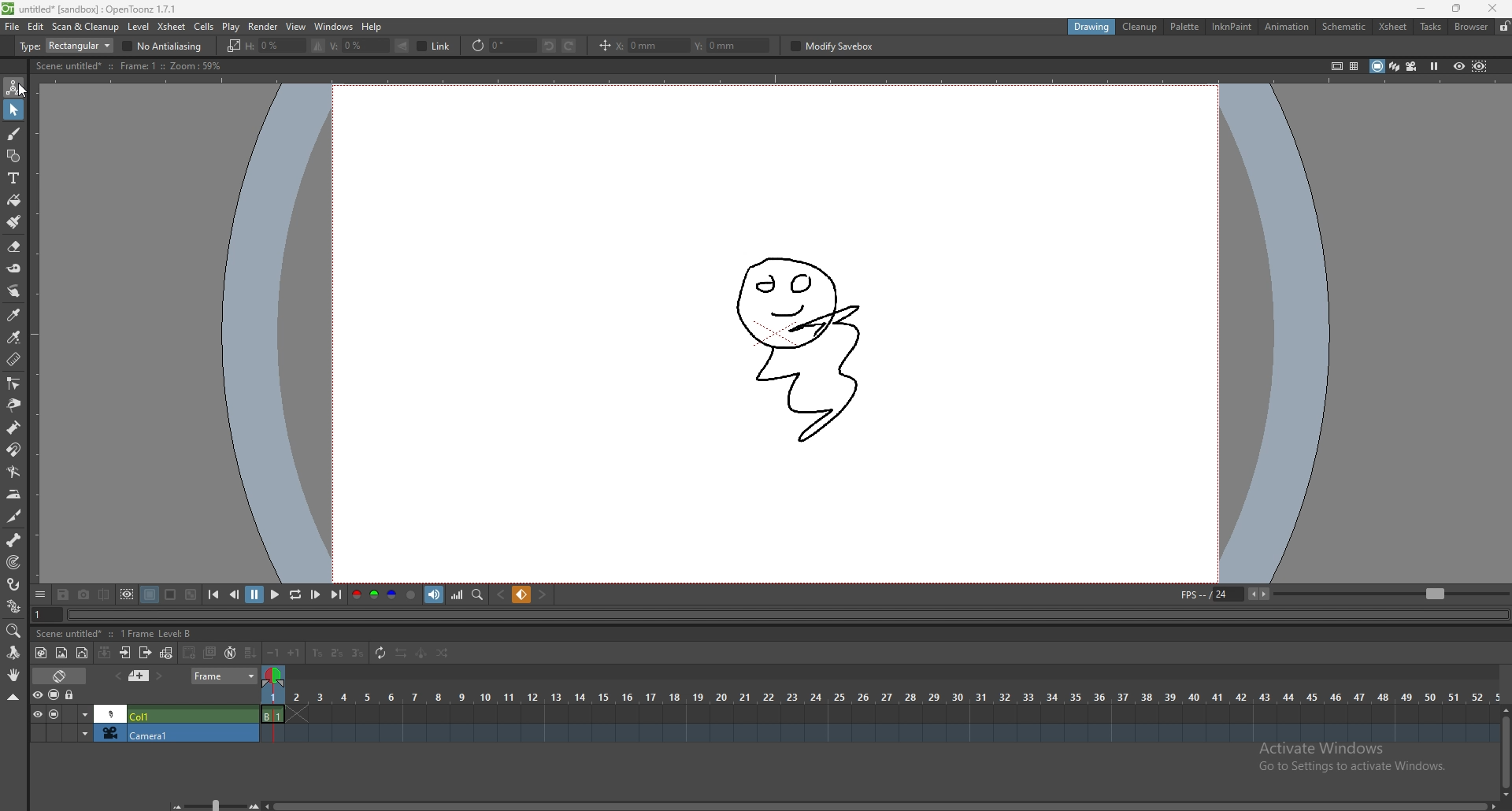  What do you see at coordinates (215, 595) in the screenshot?
I see `first frame` at bounding box center [215, 595].